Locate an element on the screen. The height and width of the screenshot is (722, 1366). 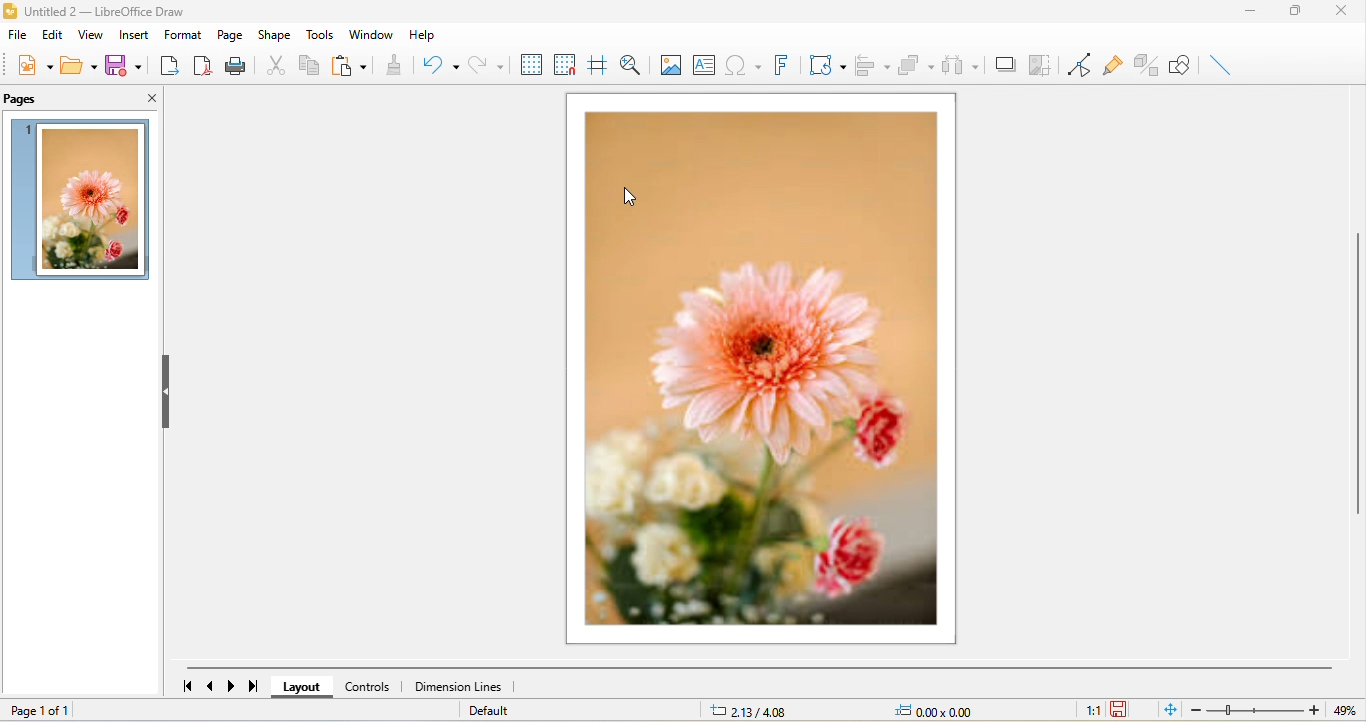
insert line is located at coordinates (1221, 64).